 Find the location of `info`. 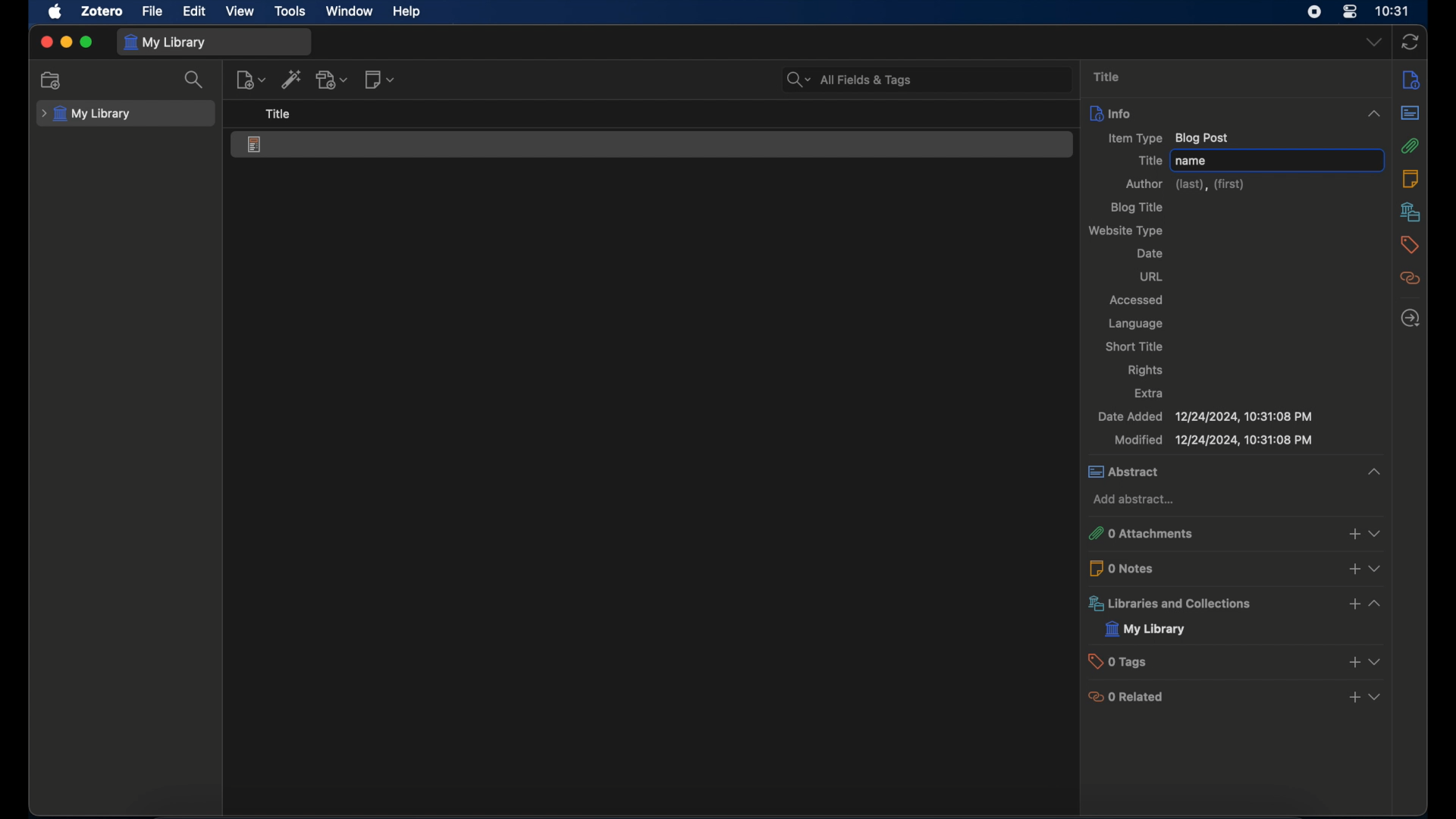

info is located at coordinates (1237, 112).